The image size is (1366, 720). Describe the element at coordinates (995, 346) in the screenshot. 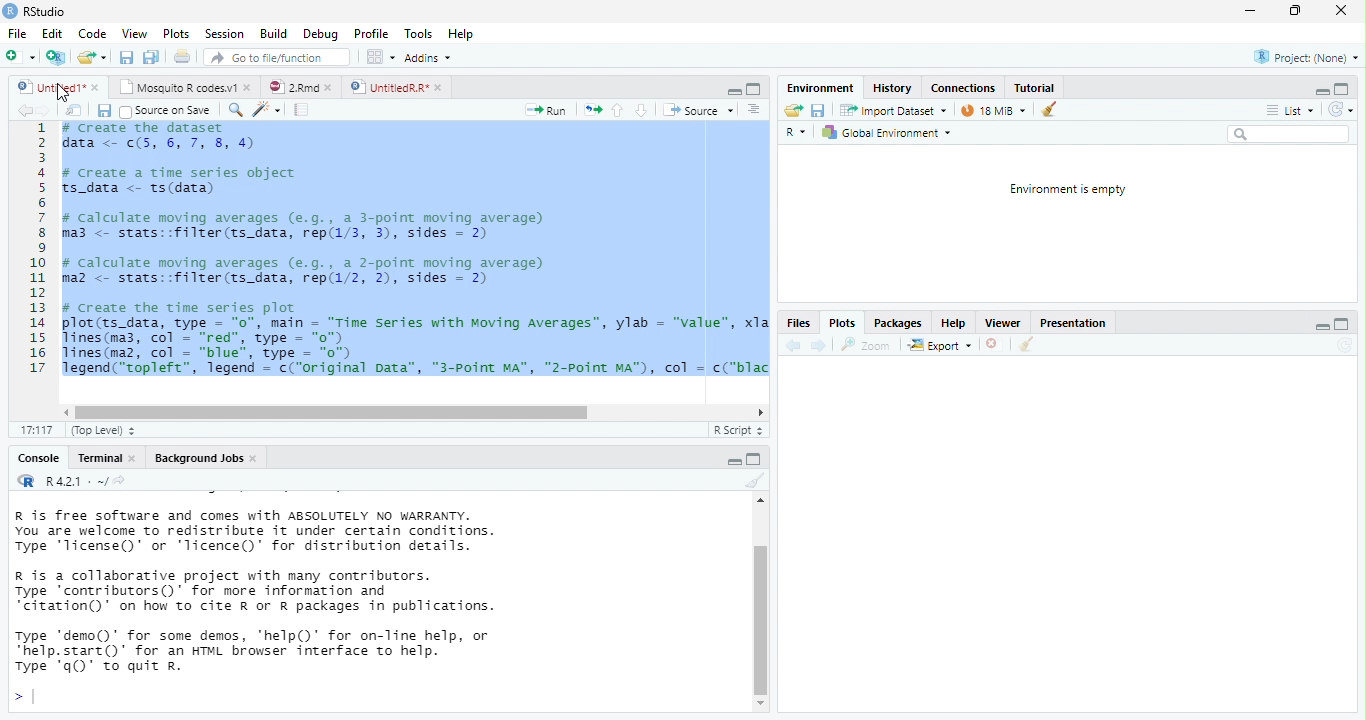

I see `close` at that location.